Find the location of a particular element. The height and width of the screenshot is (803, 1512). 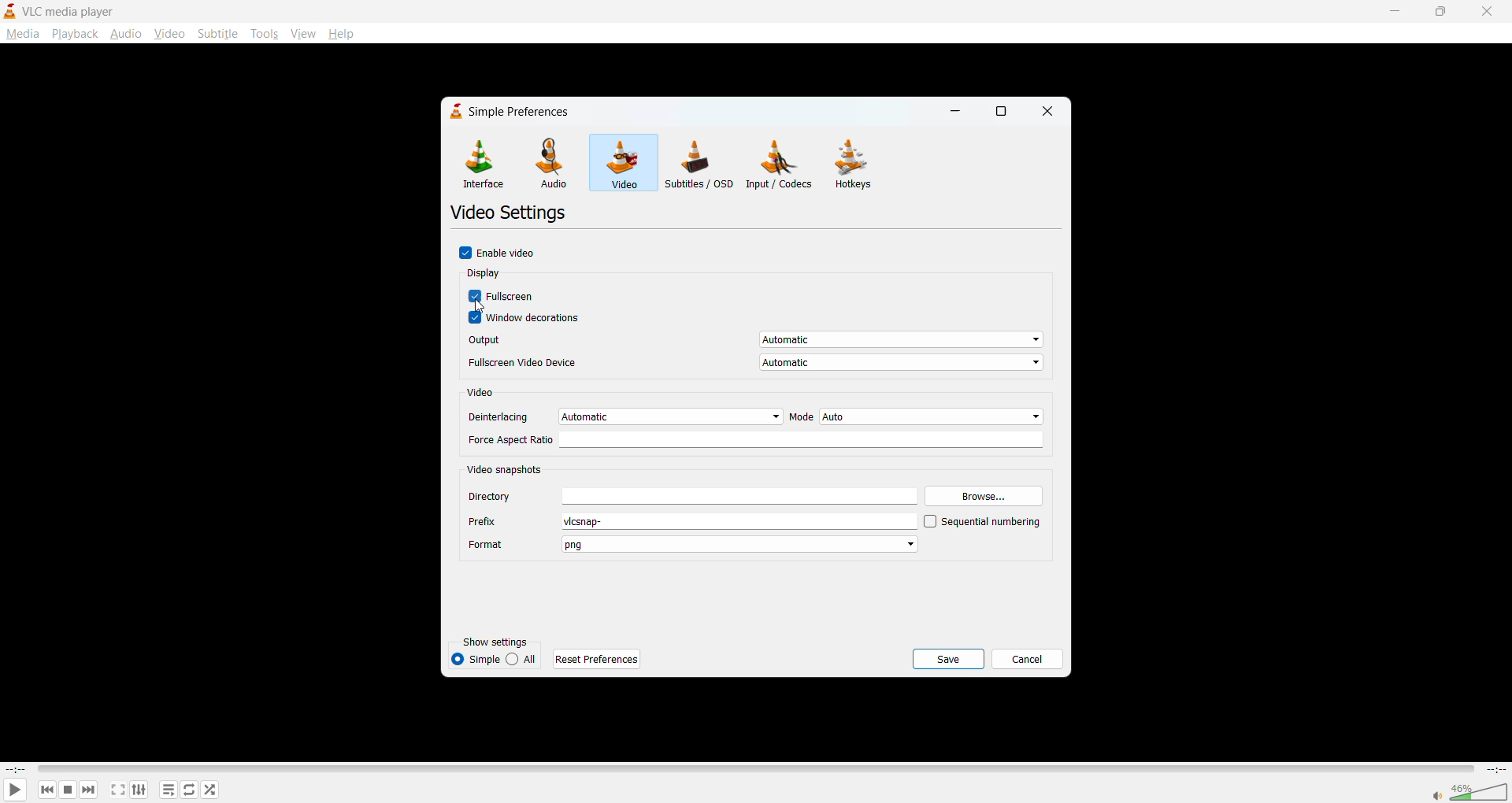

maximize is located at coordinates (1006, 112).